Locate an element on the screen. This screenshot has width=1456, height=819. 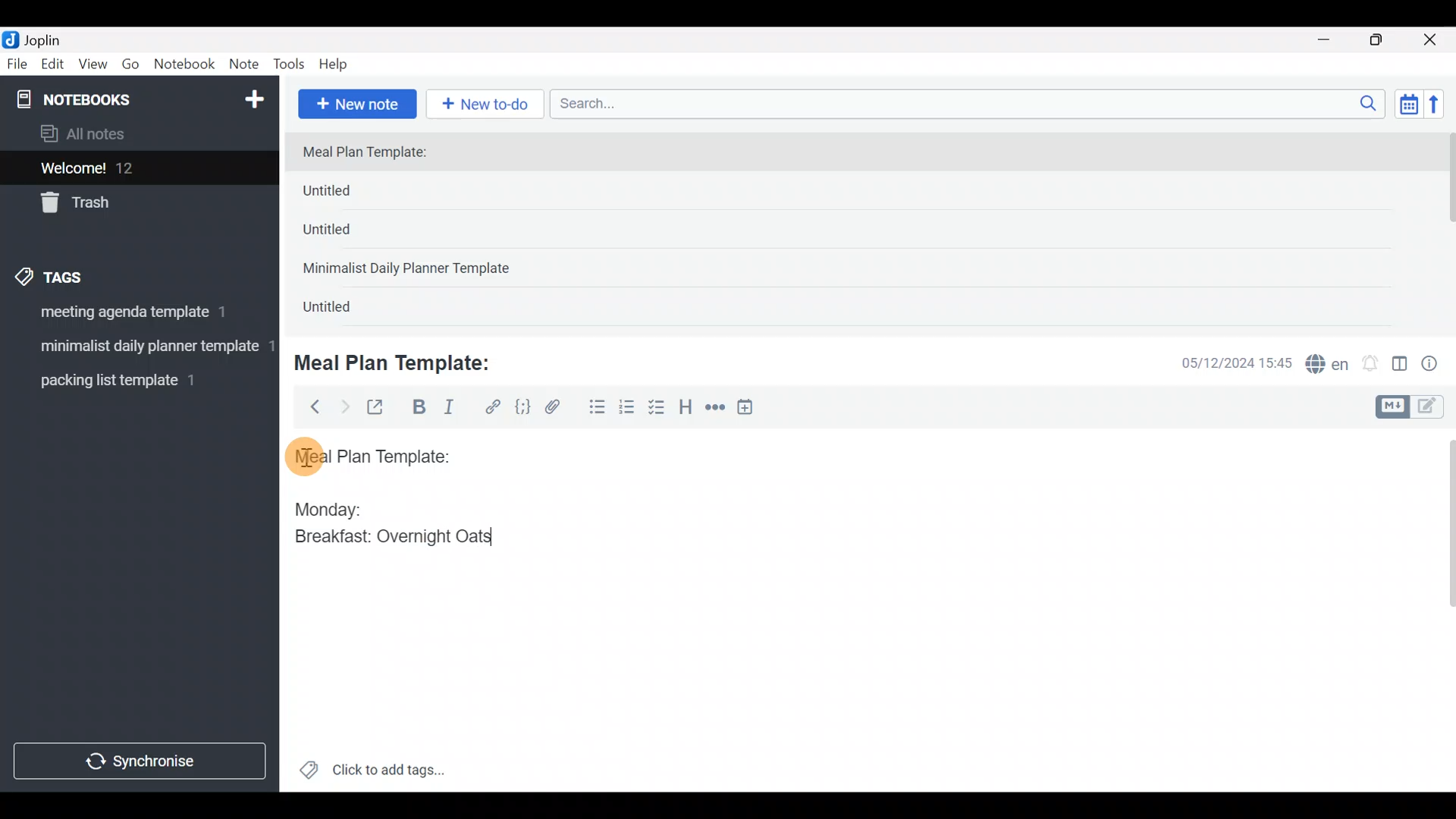
Date & time is located at coordinates (1225, 362).